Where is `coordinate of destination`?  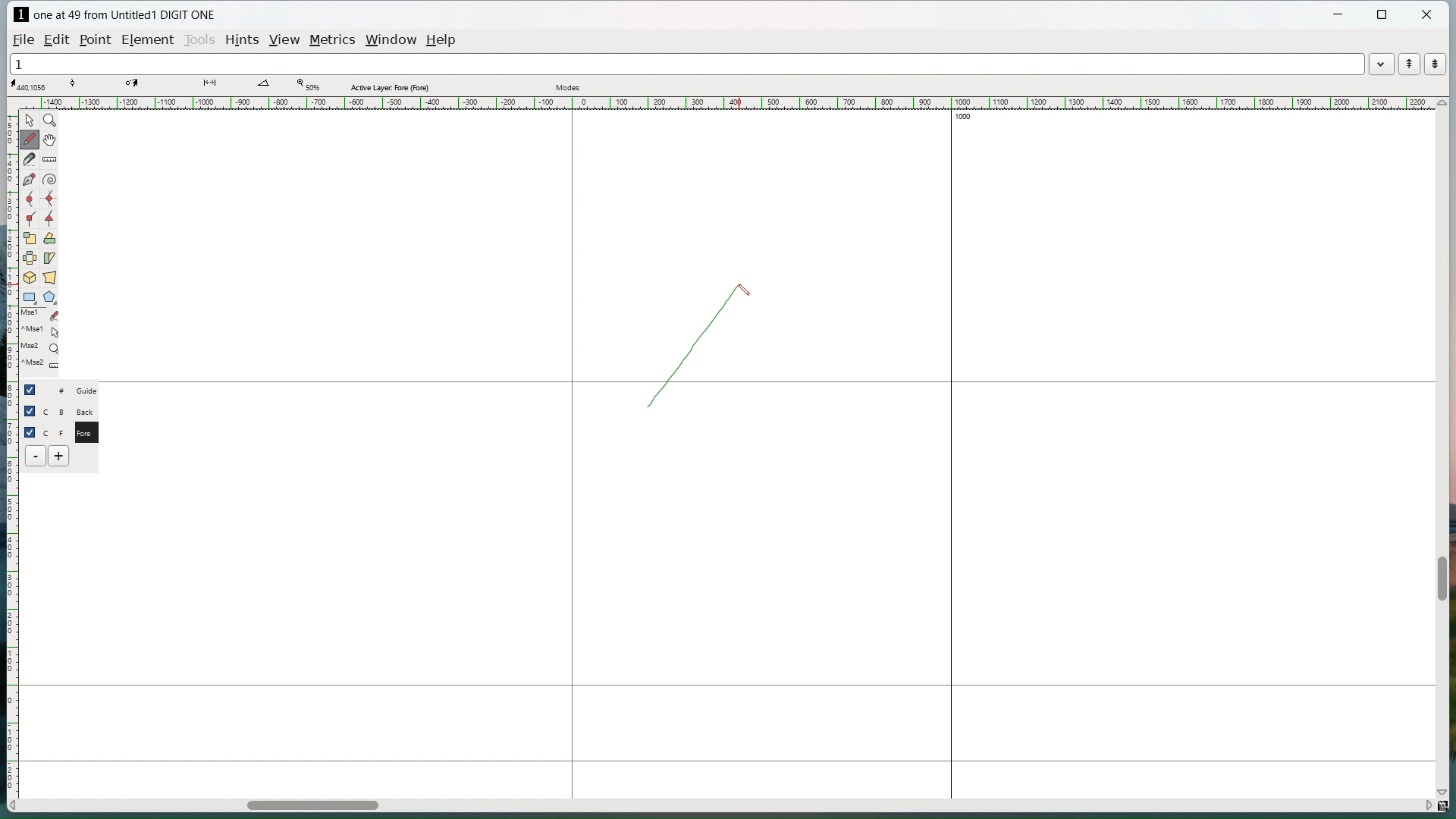 coordinate of destination is located at coordinates (134, 84).